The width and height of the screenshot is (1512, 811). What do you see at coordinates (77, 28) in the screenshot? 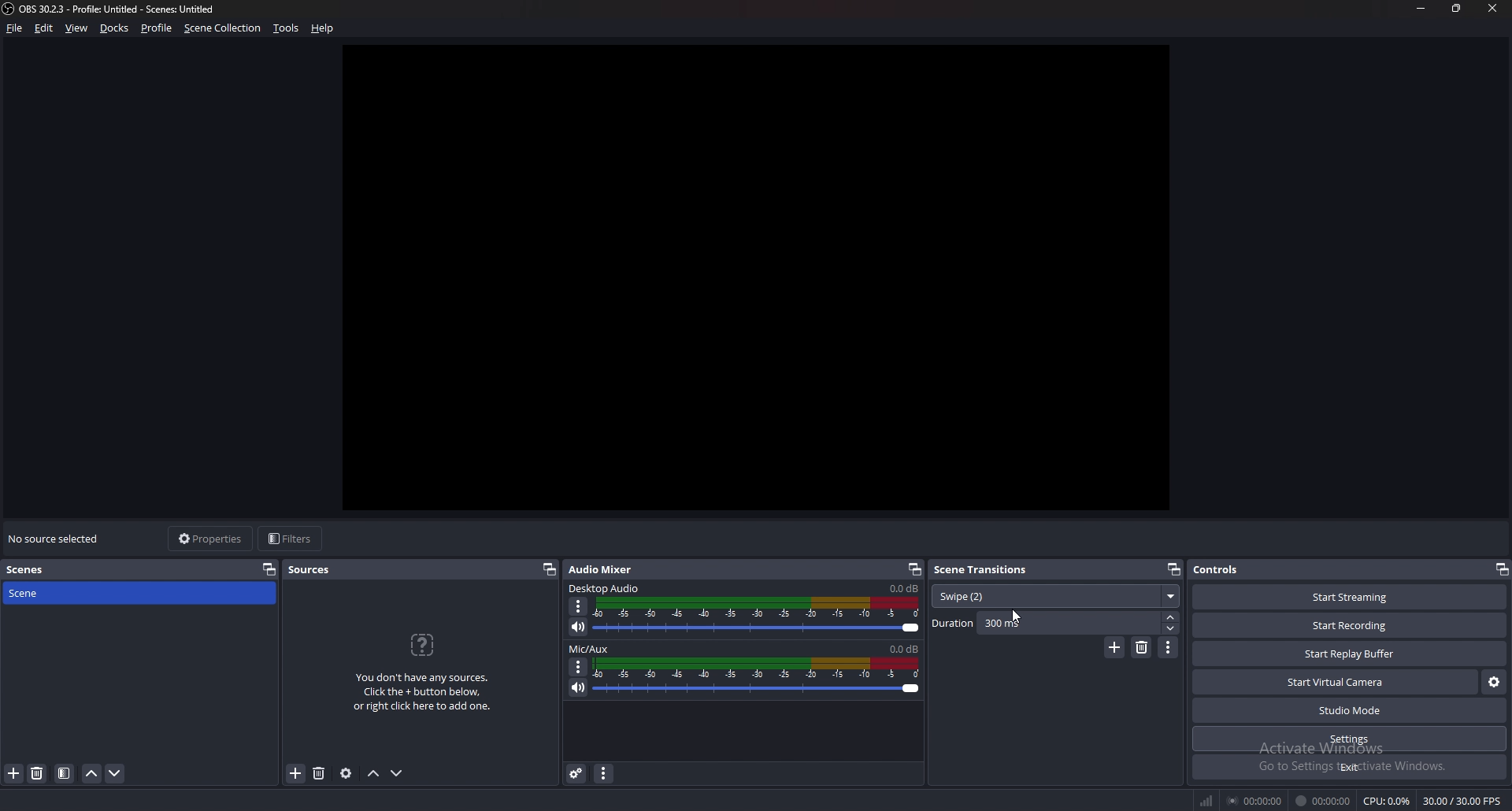
I see `view` at bounding box center [77, 28].